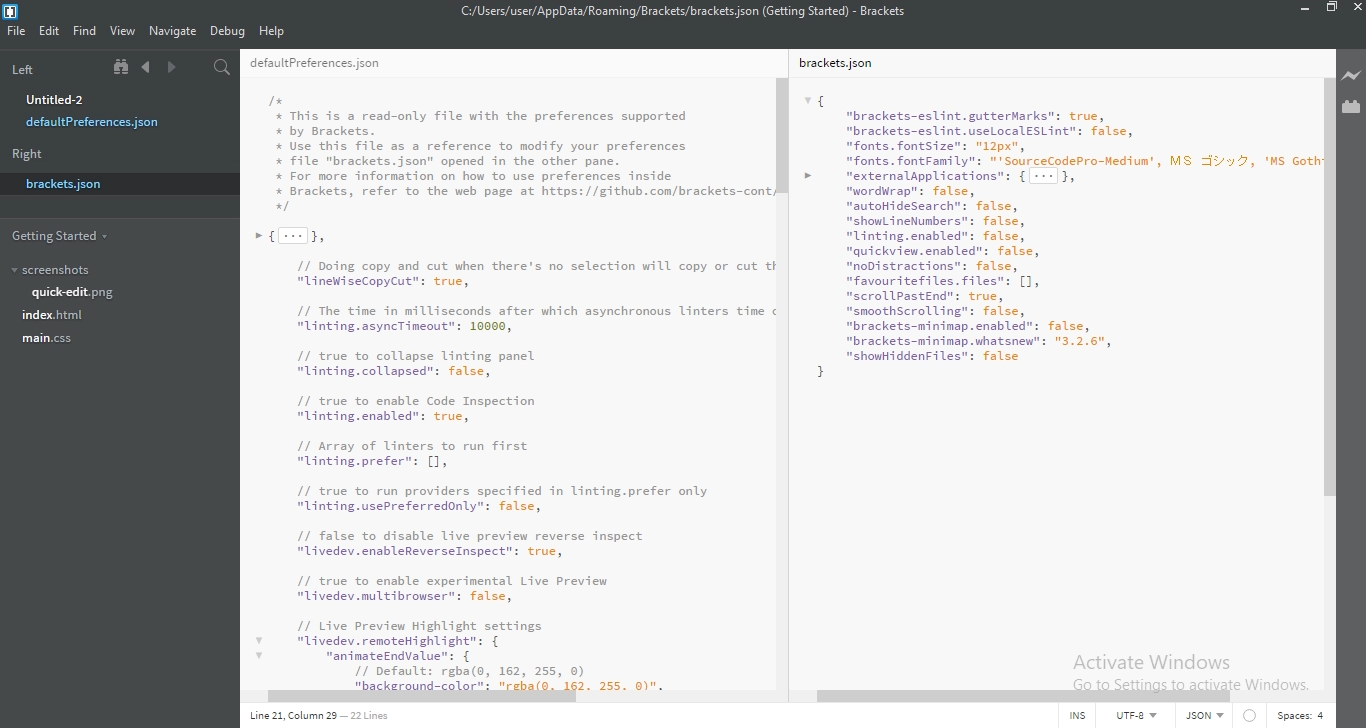 The width and height of the screenshot is (1366, 728). What do you see at coordinates (49, 31) in the screenshot?
I see `Edit` at bounding box center [49, 31].